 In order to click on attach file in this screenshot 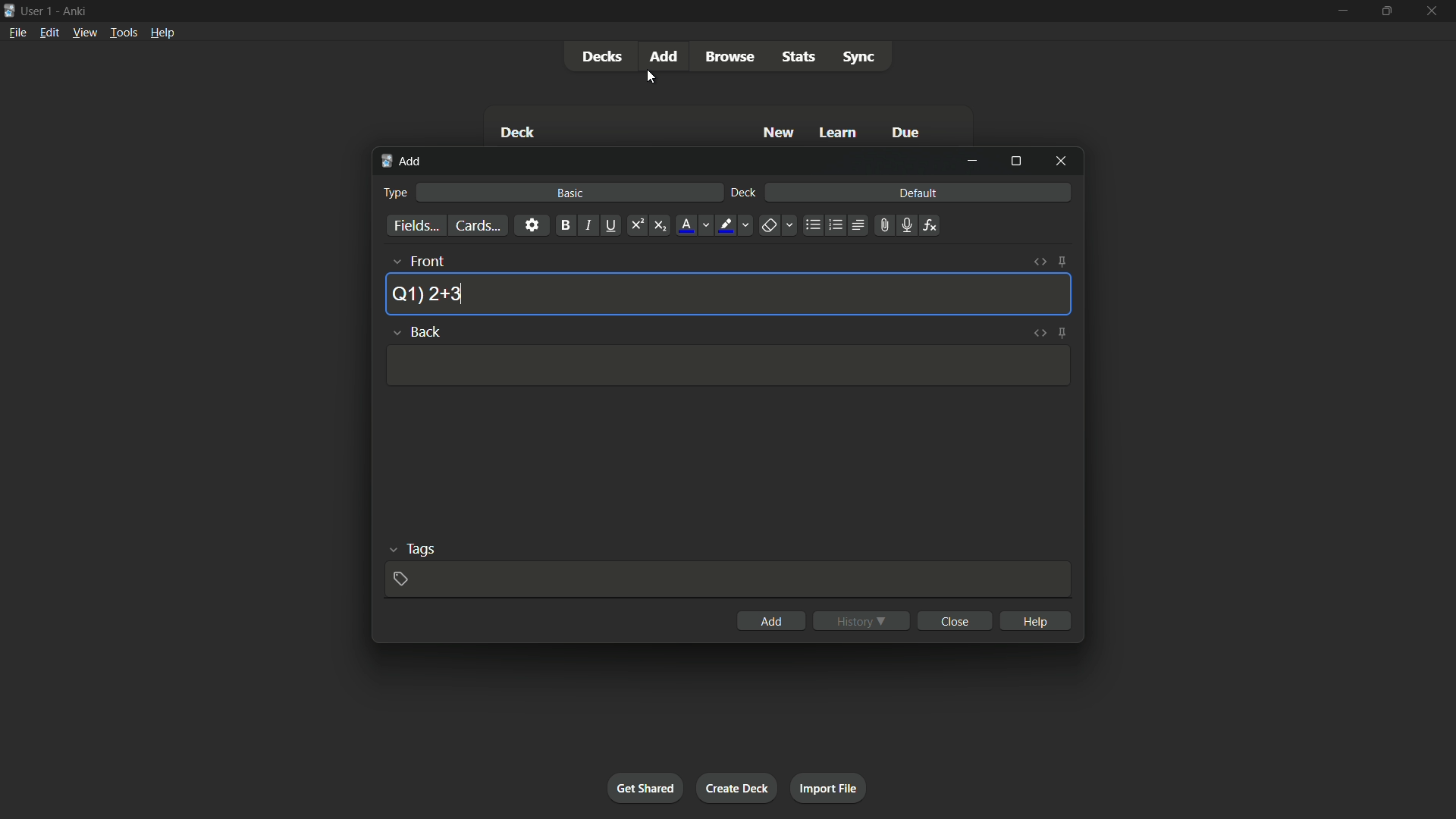, I will do `click(883, 225)`.